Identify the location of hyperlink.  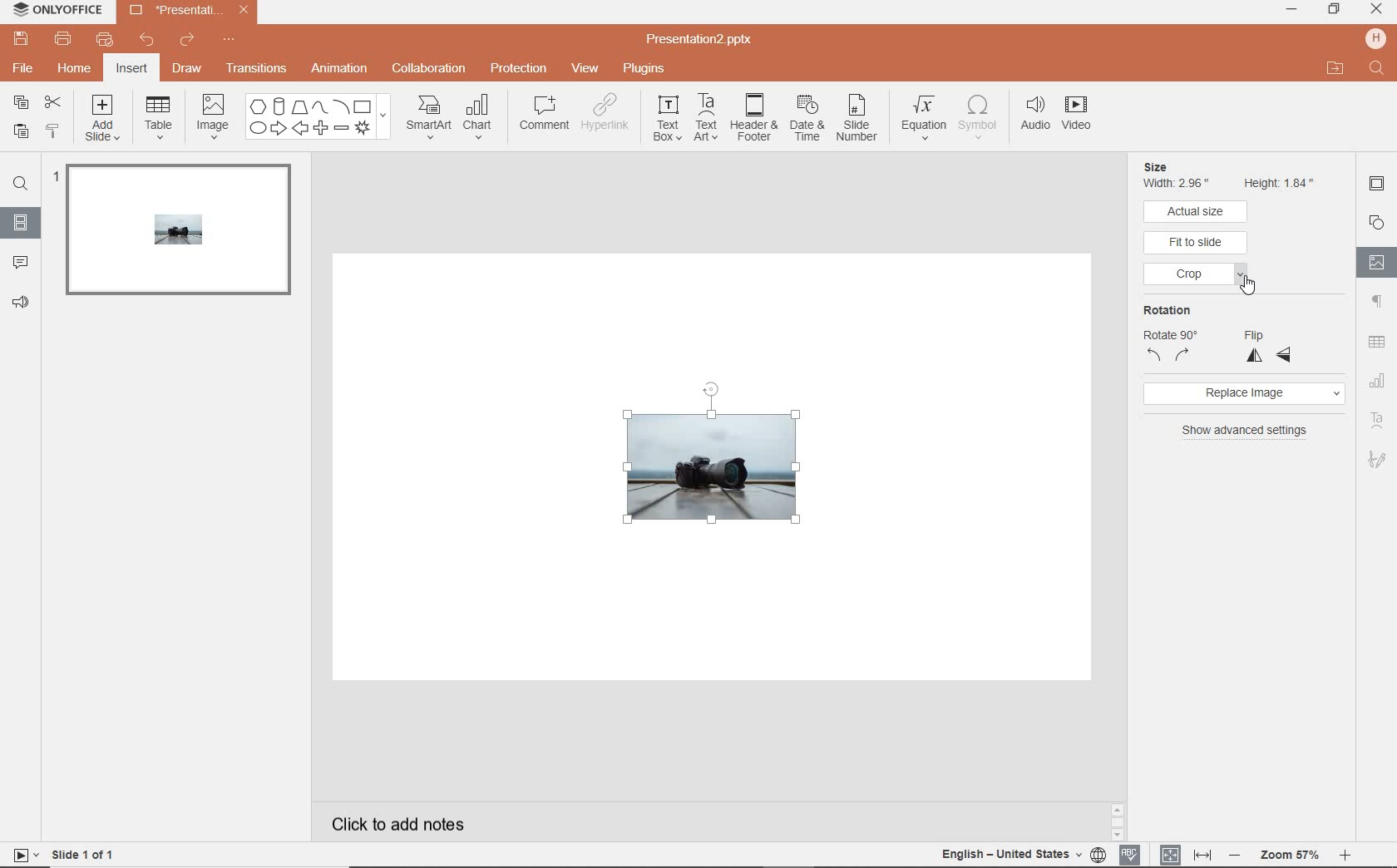
(610, 116).